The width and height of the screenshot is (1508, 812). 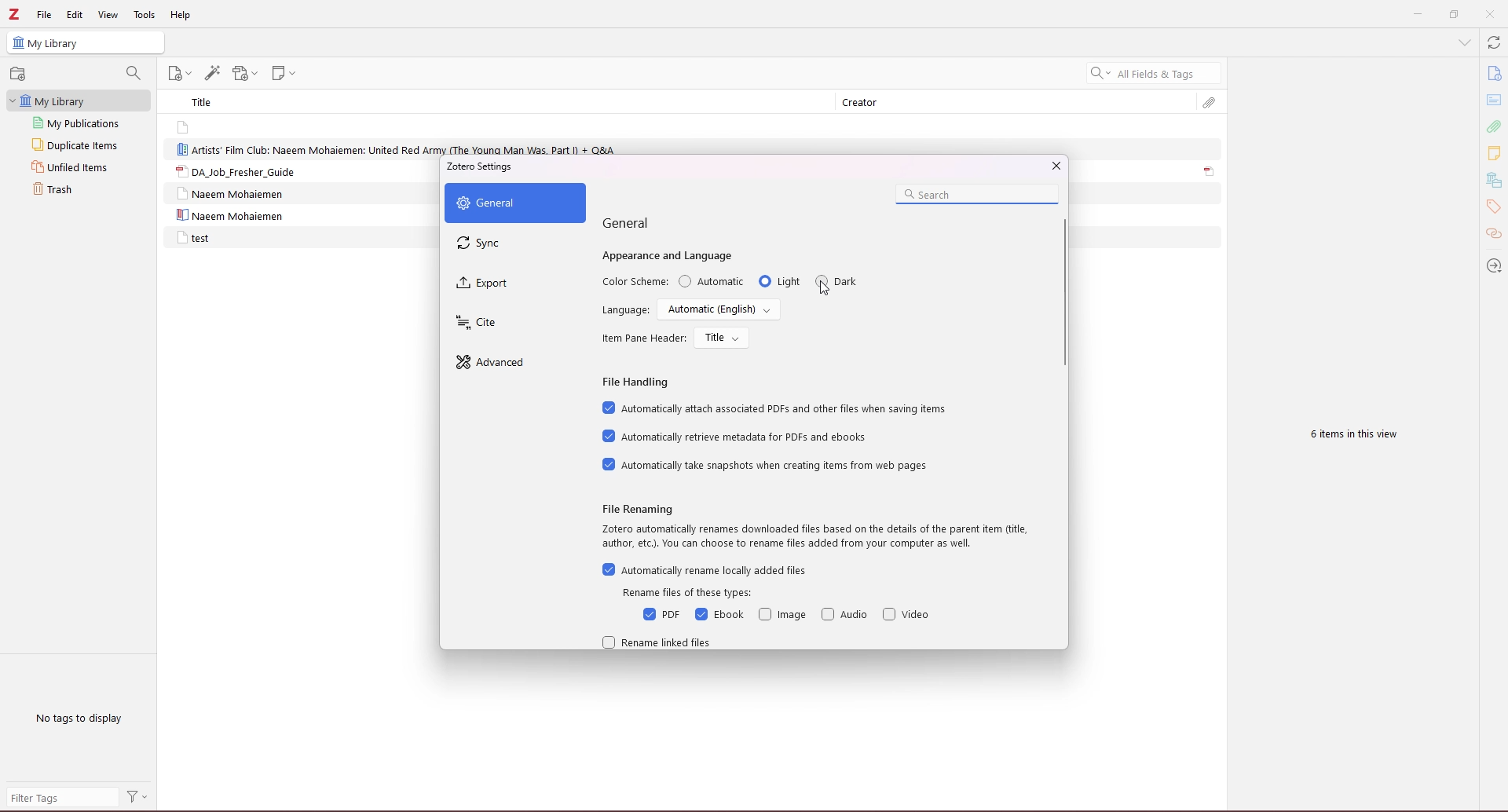 What do you see at coordinates (61, 797) in the screenshot?
I see `filter tags` at bounding box center [61, 797].